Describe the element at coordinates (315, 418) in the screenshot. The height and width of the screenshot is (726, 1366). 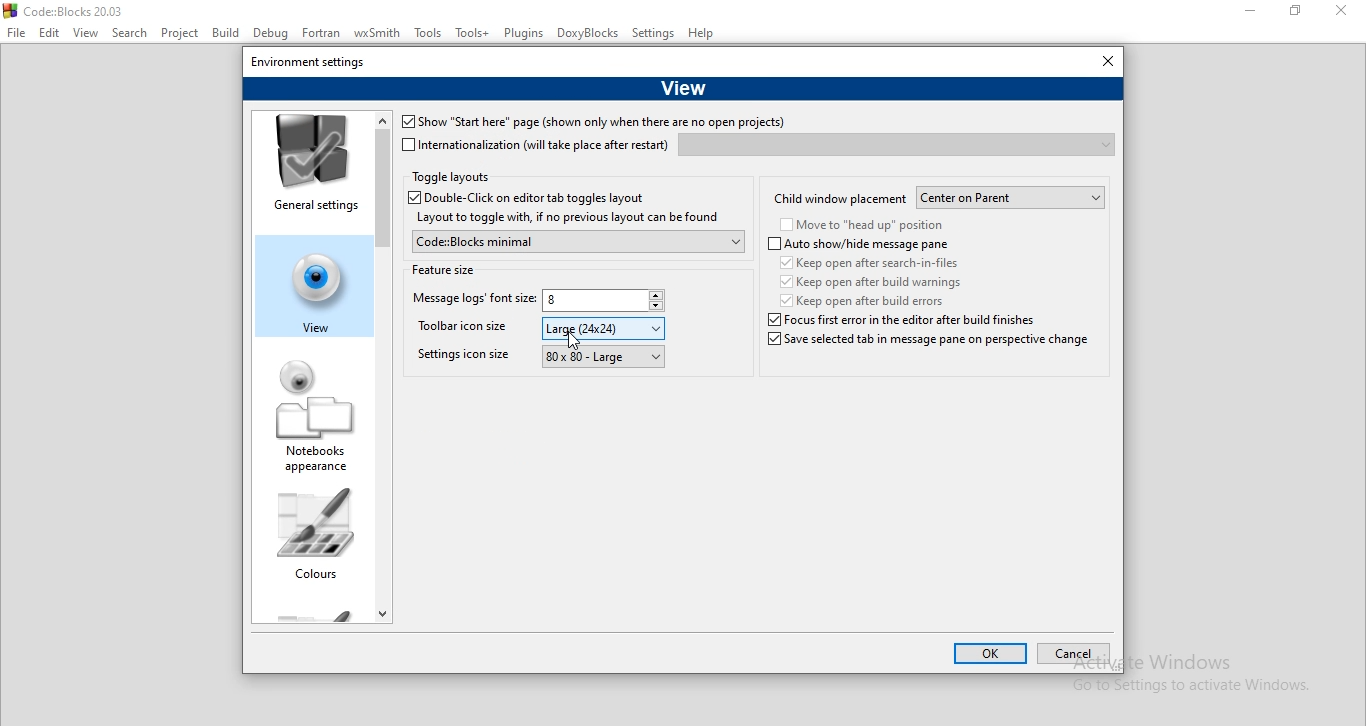
I see `notebooks appearance` at that location.